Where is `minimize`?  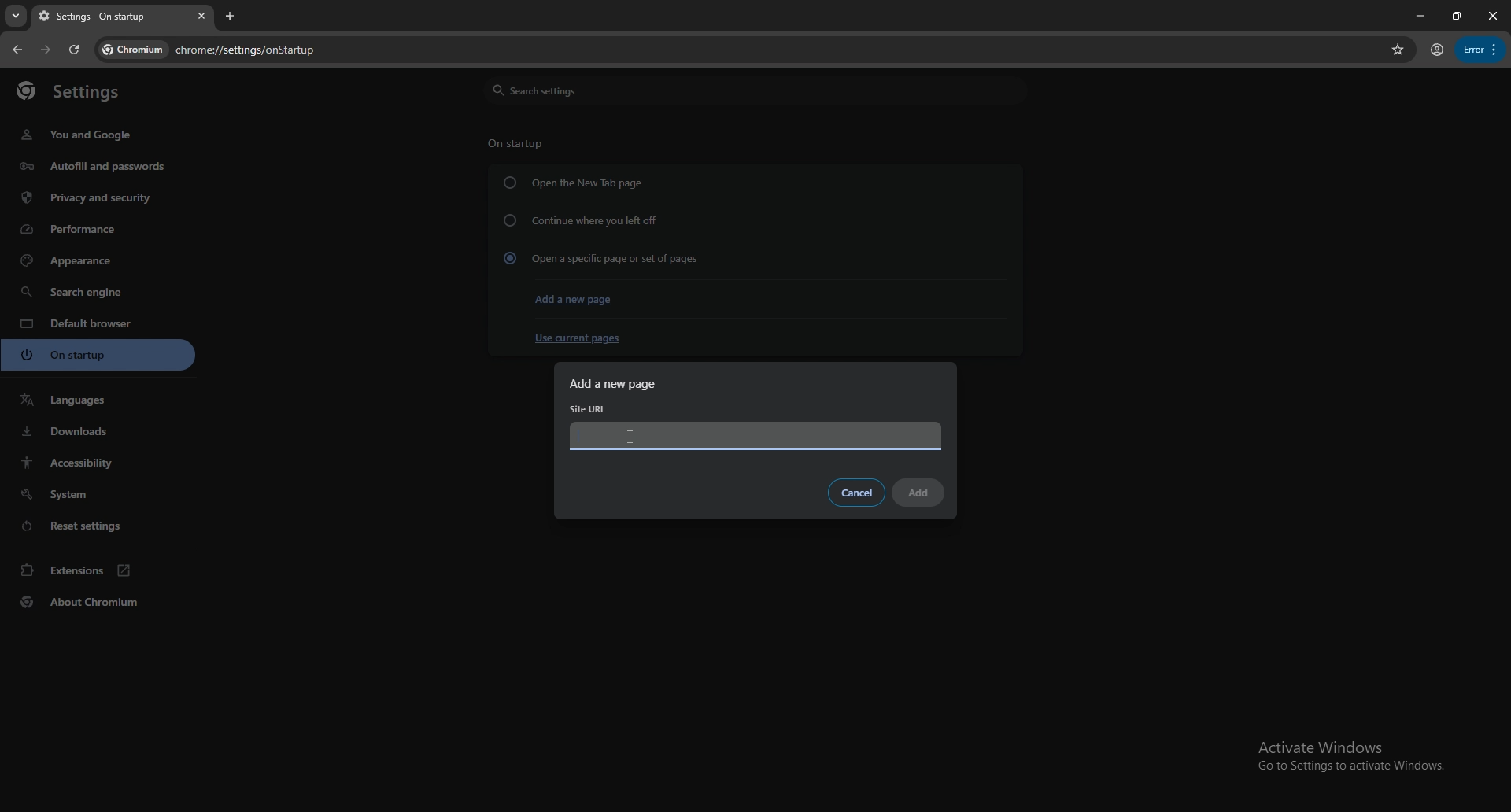 minimize is located at coordinates (1417, 16).